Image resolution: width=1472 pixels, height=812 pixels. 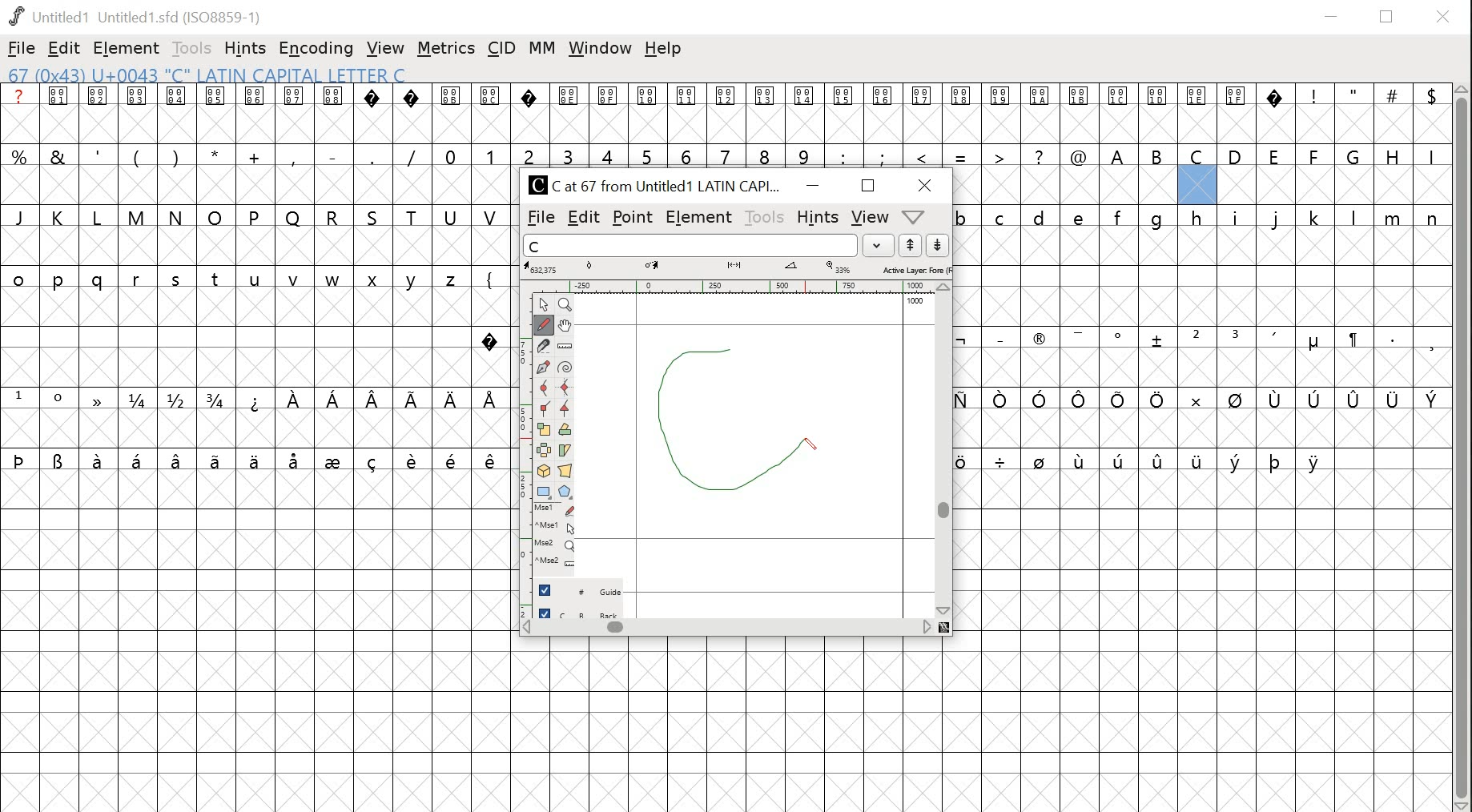 What do you see at coordinates (727, 629) in the screenshot?
I see `scrollbar` at bounding box center [727, 629].